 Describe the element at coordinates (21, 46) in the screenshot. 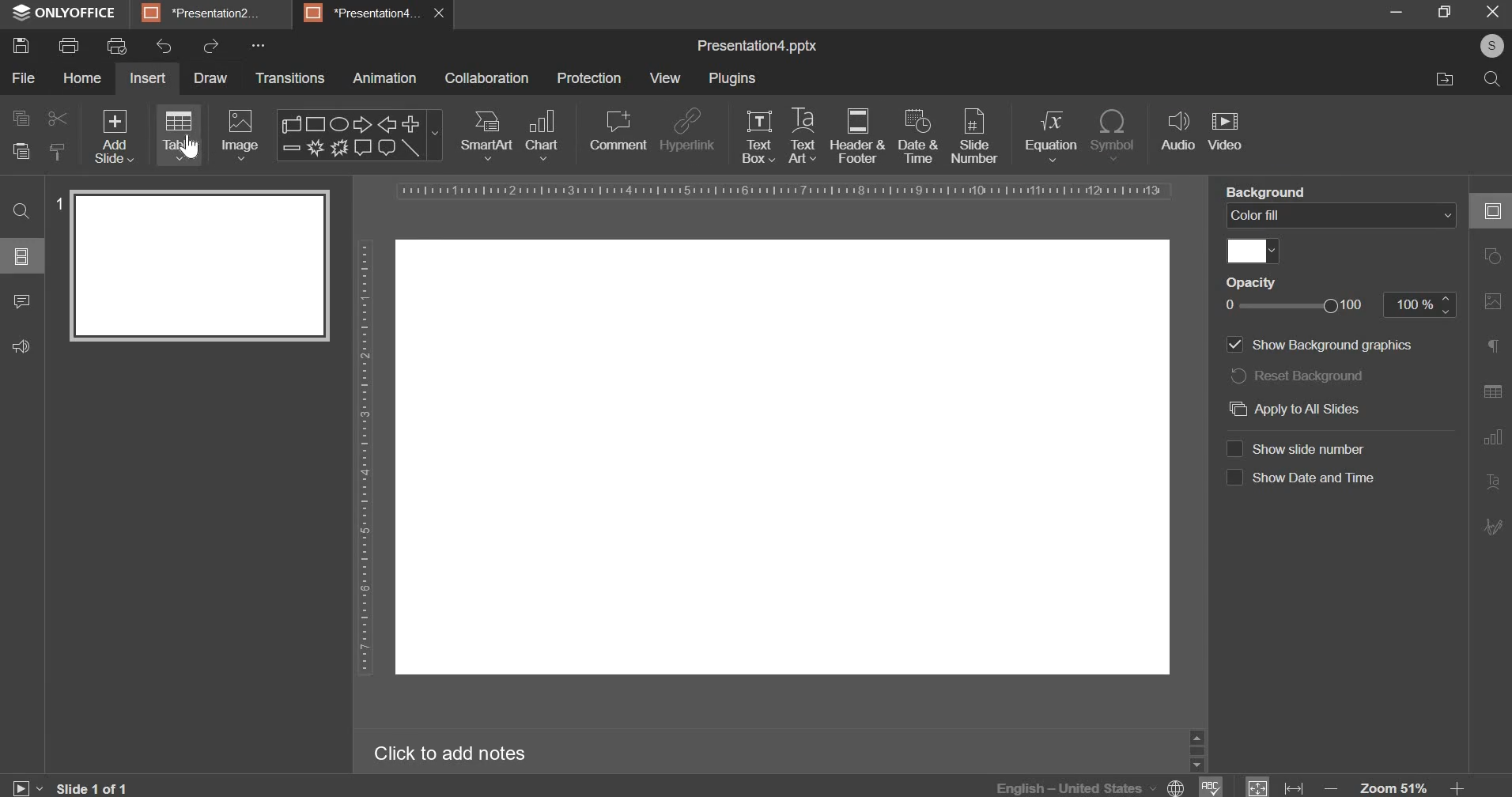

I see `save` at that location.